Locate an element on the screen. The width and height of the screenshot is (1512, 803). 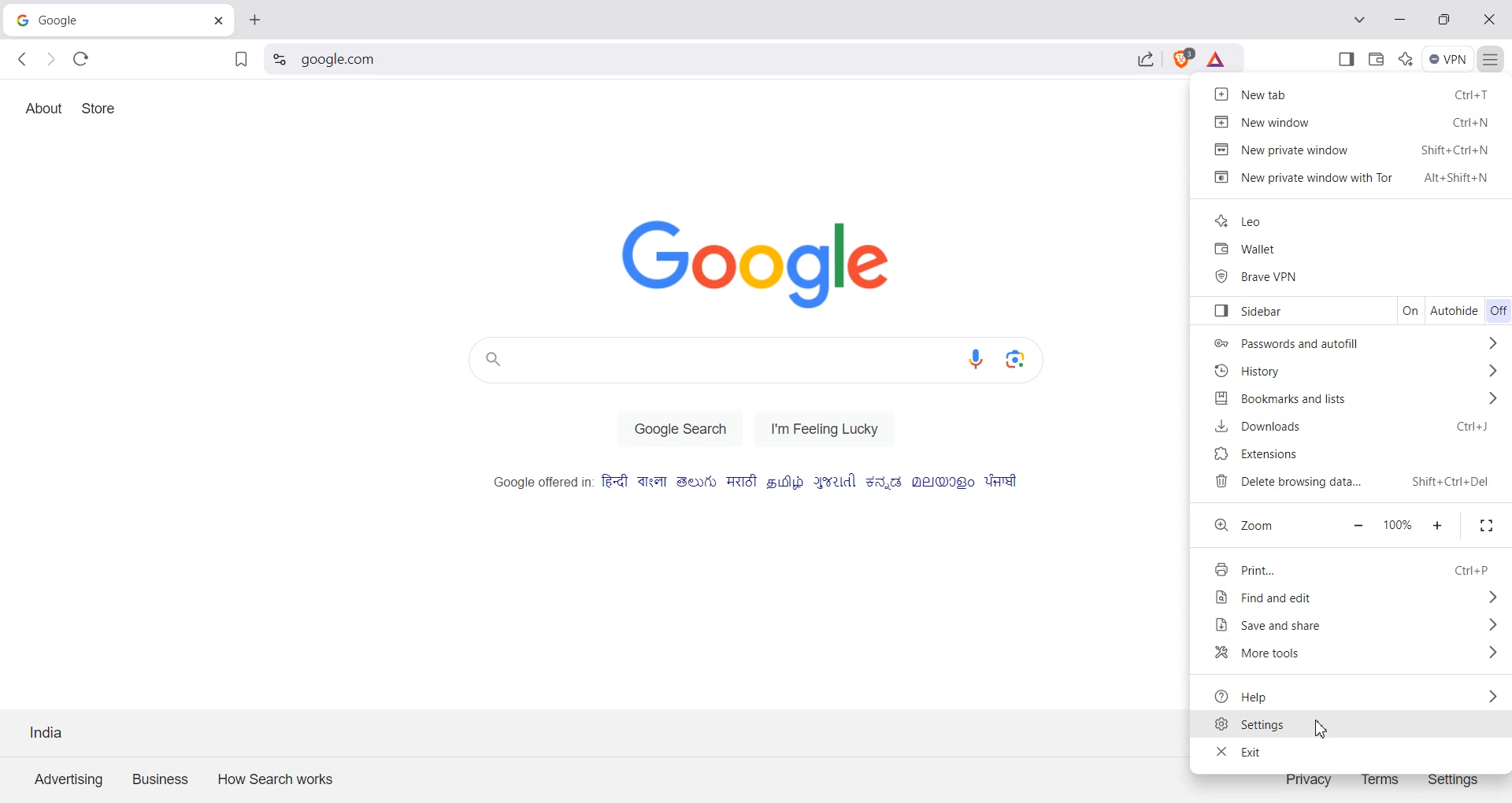
Maximize is located at coordinates (1438, 527).